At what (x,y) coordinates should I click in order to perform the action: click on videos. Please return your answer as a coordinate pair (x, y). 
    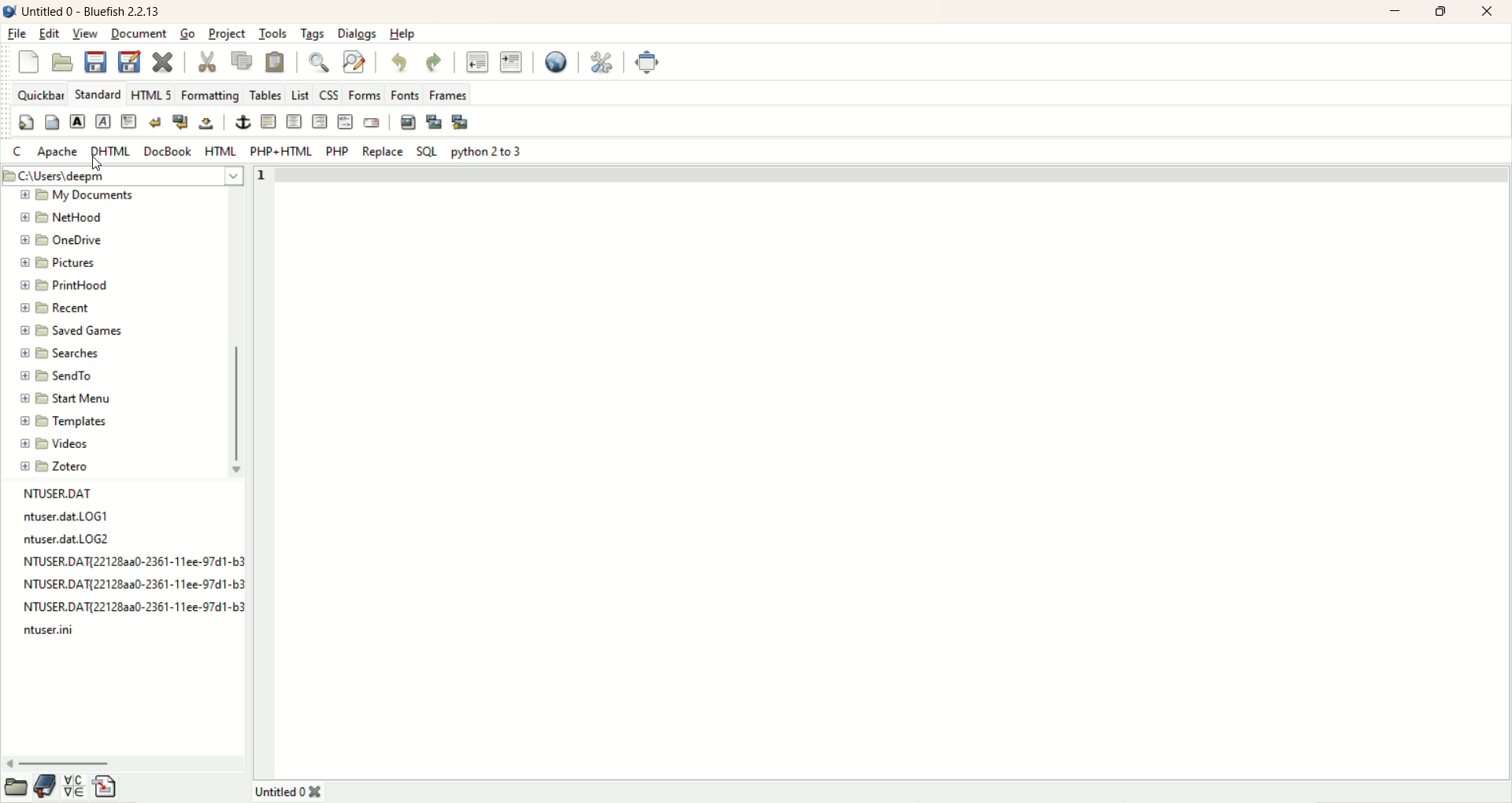
    Looking at the image, I should click on (57, 443).